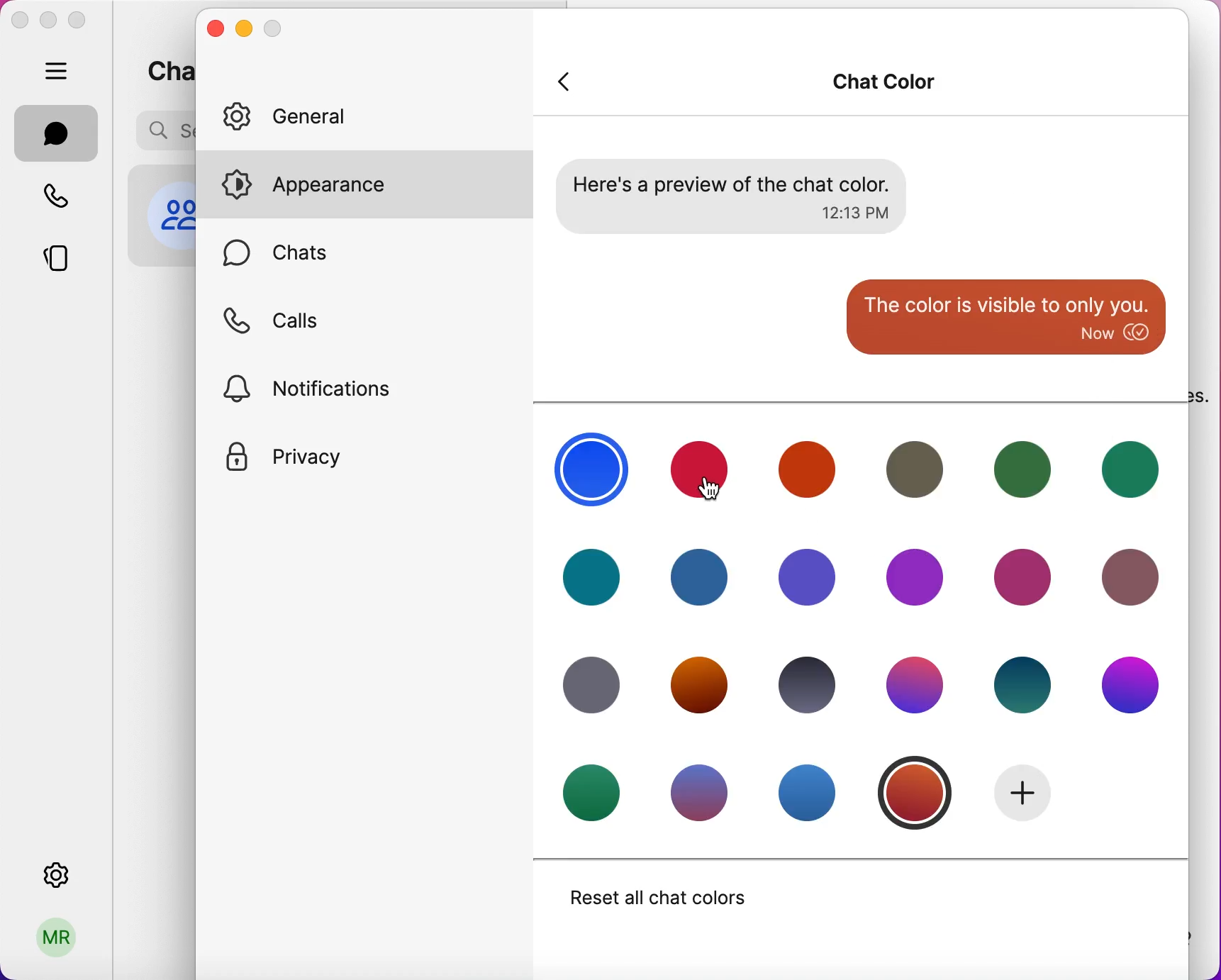  Describe the element at coordinates (65, 199) in the screenshot. I see `calls` at that location.